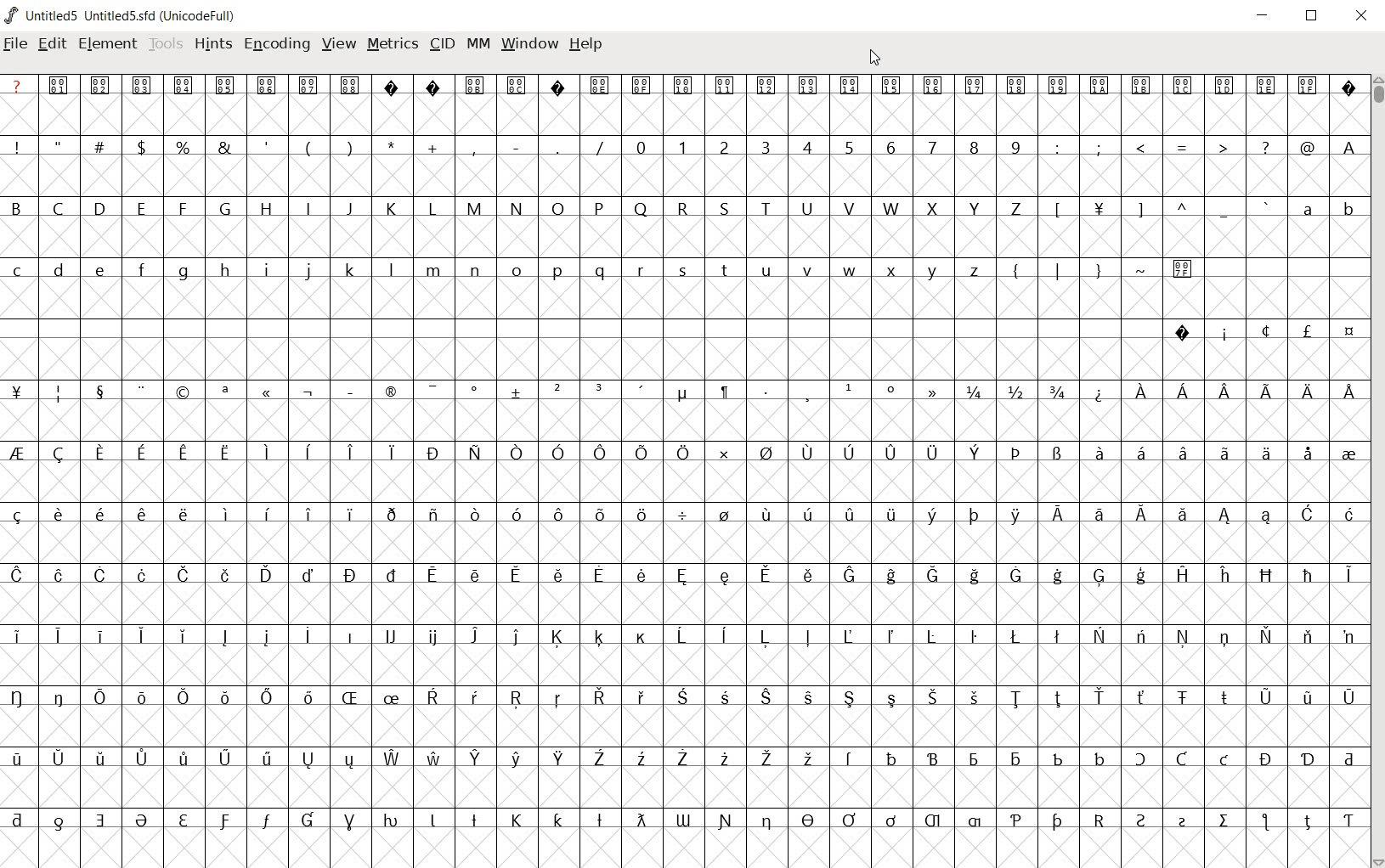  I want to click on Symbol, so click(392, 759).